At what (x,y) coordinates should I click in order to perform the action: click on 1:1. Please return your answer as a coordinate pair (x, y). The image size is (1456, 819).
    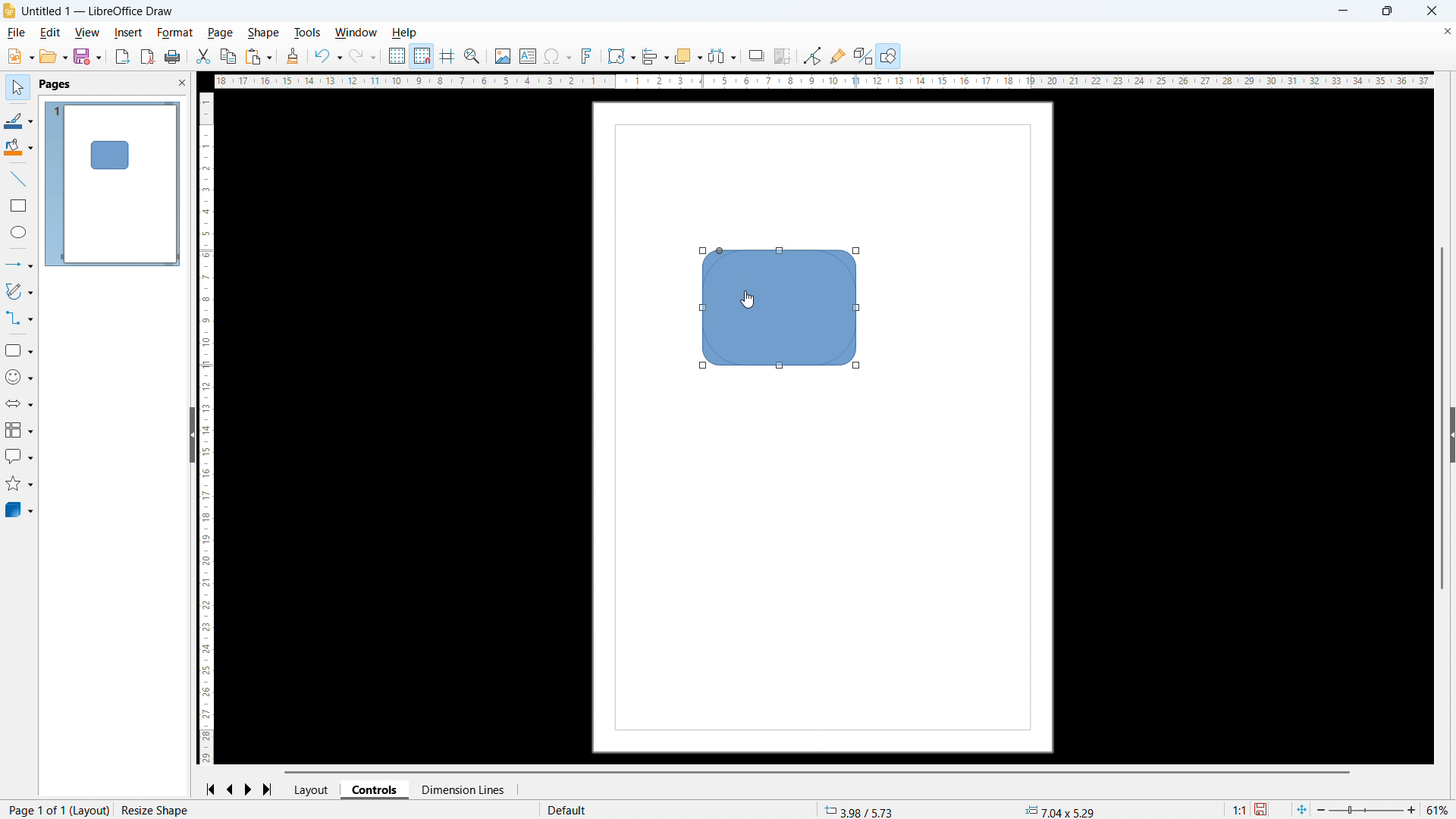
    Looking at the image, I should click on (1238, 808).